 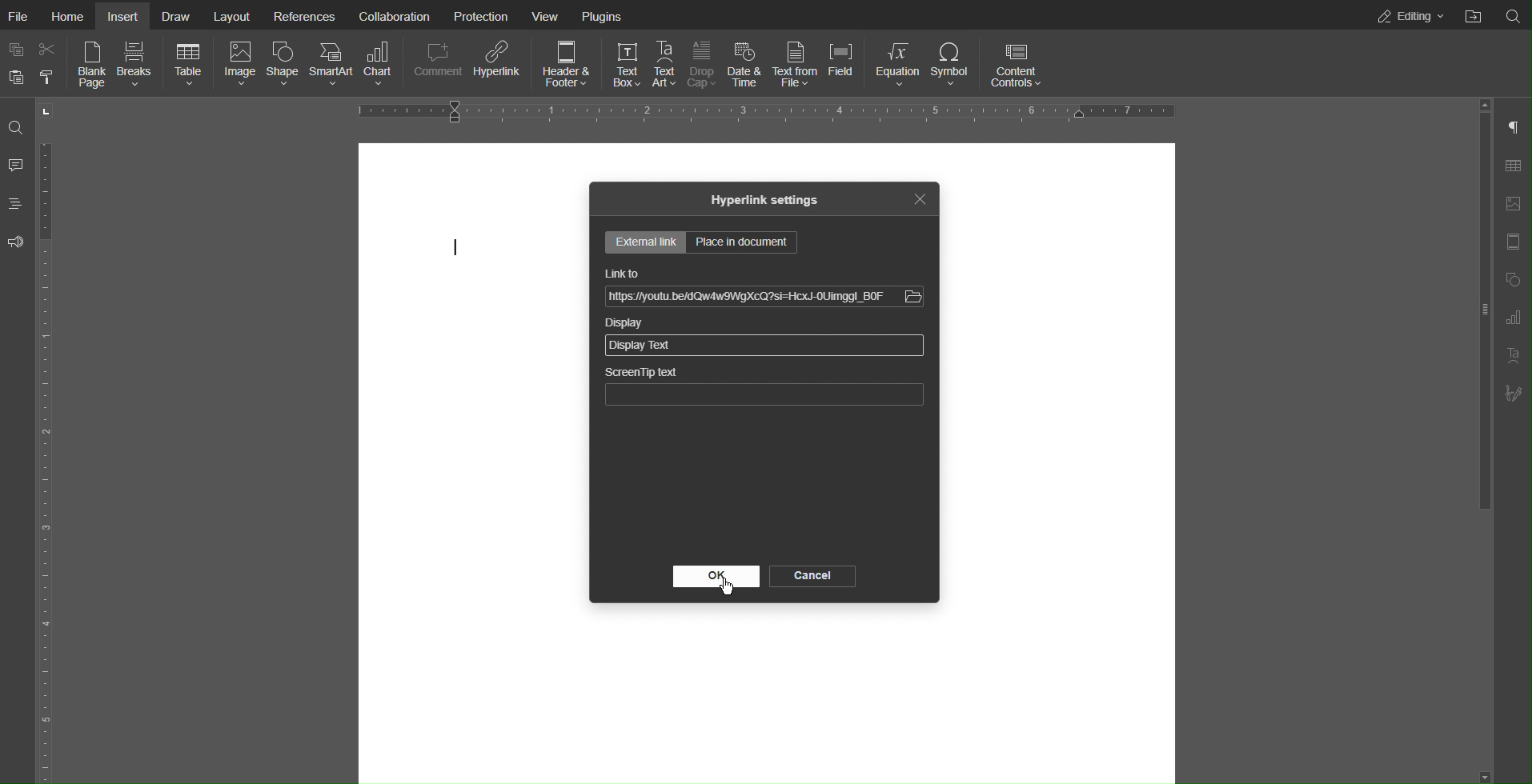 What do you see at coordinates (1510, 358) in the screenshot?
I see `Text Art` at bounding box center [1510, 358].